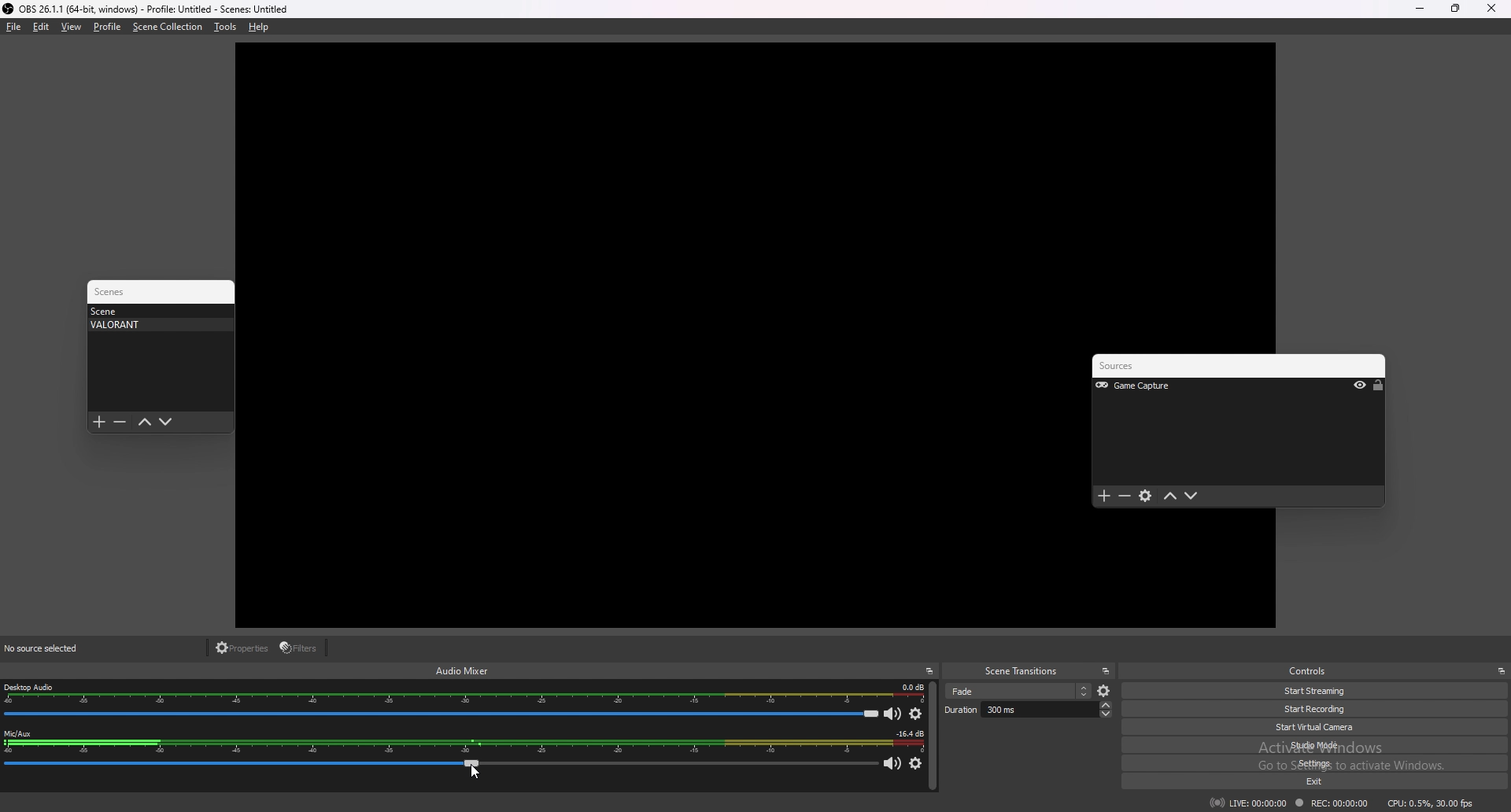  Describe the element at coordinates (99, 423) in the screenshot. I see `add` at that location.